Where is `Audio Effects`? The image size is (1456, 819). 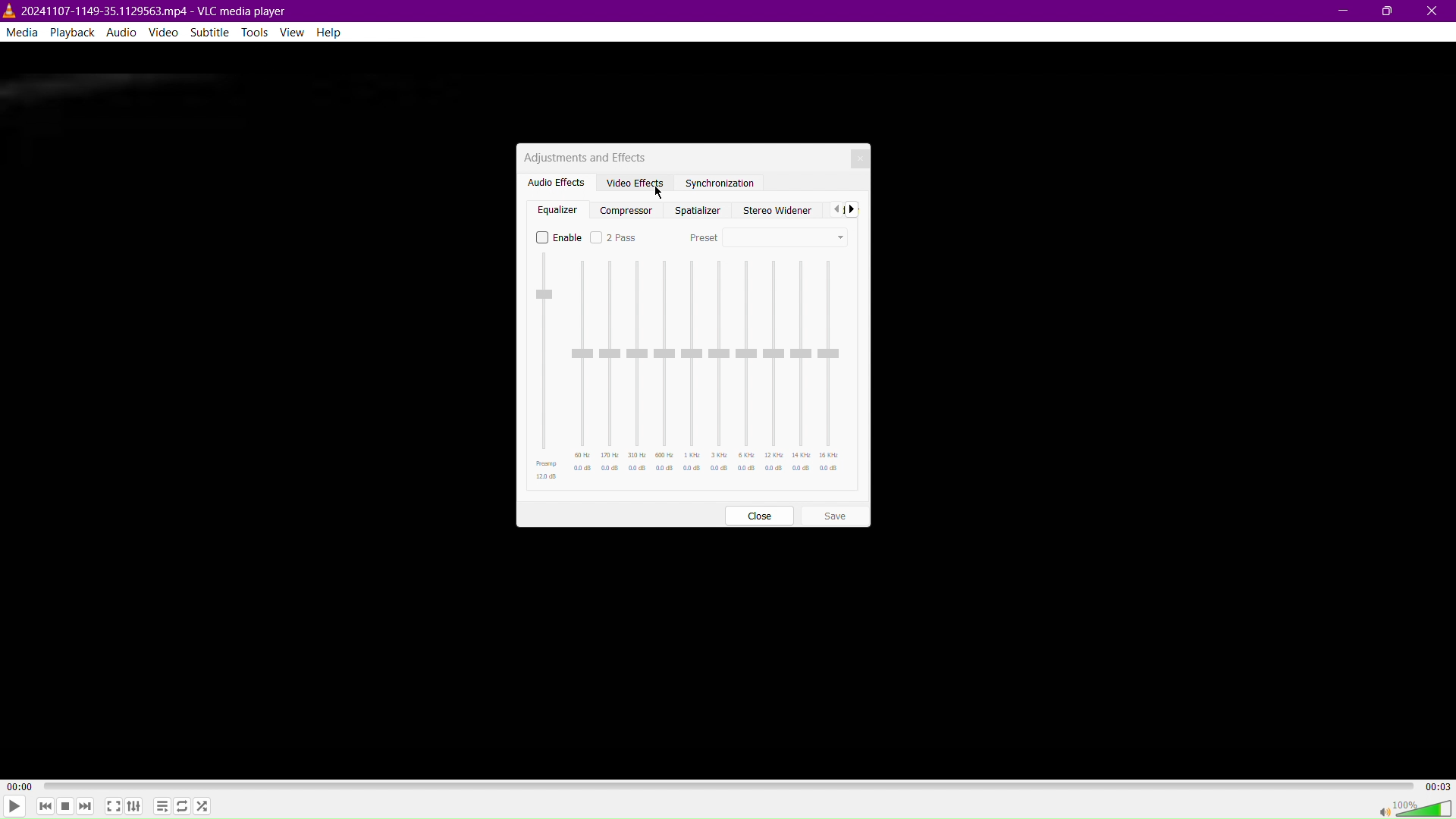
Audio Effects is located at coordinates (554, 181).